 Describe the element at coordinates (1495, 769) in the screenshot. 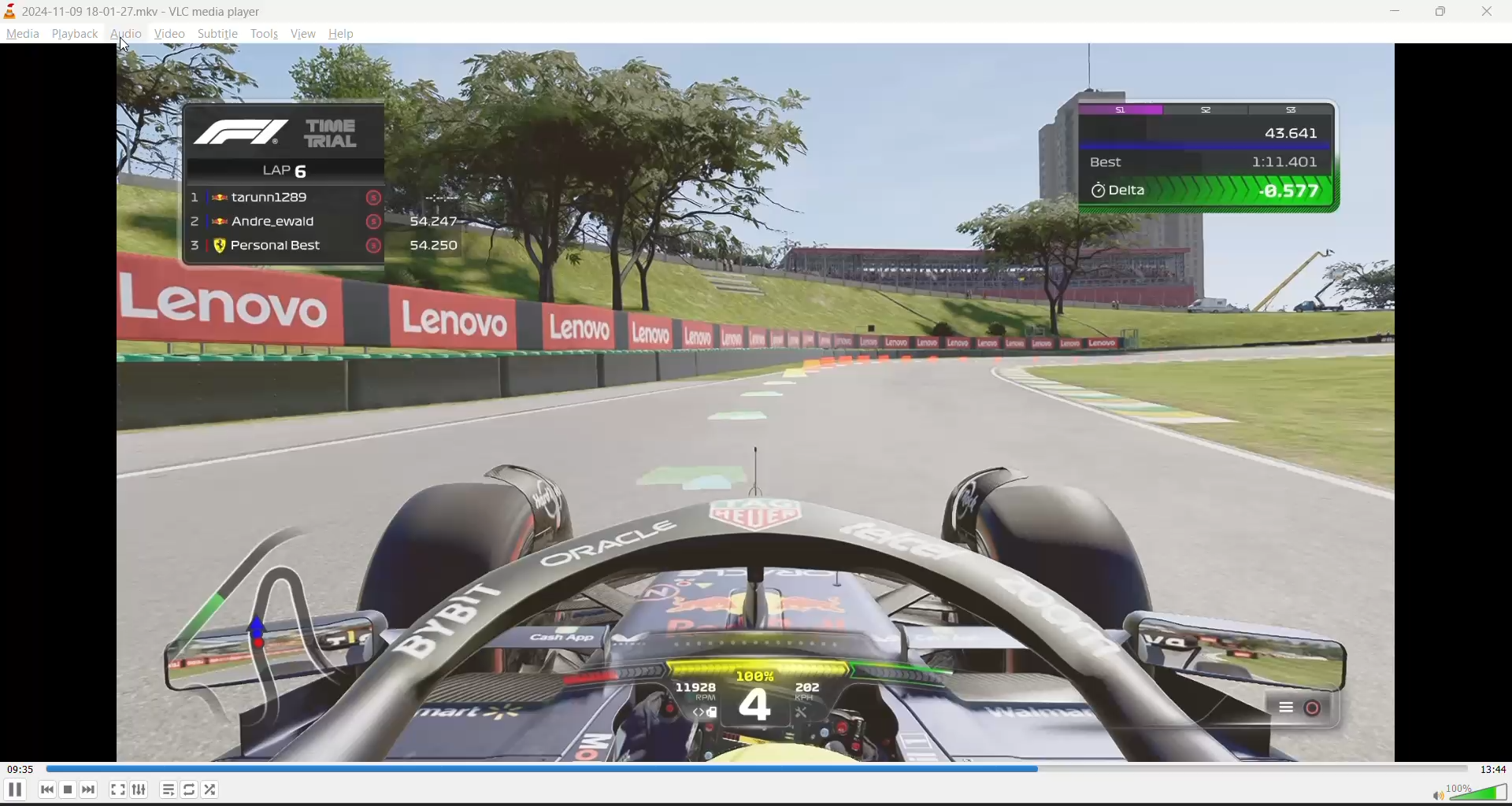

I see `total track time` at that location.